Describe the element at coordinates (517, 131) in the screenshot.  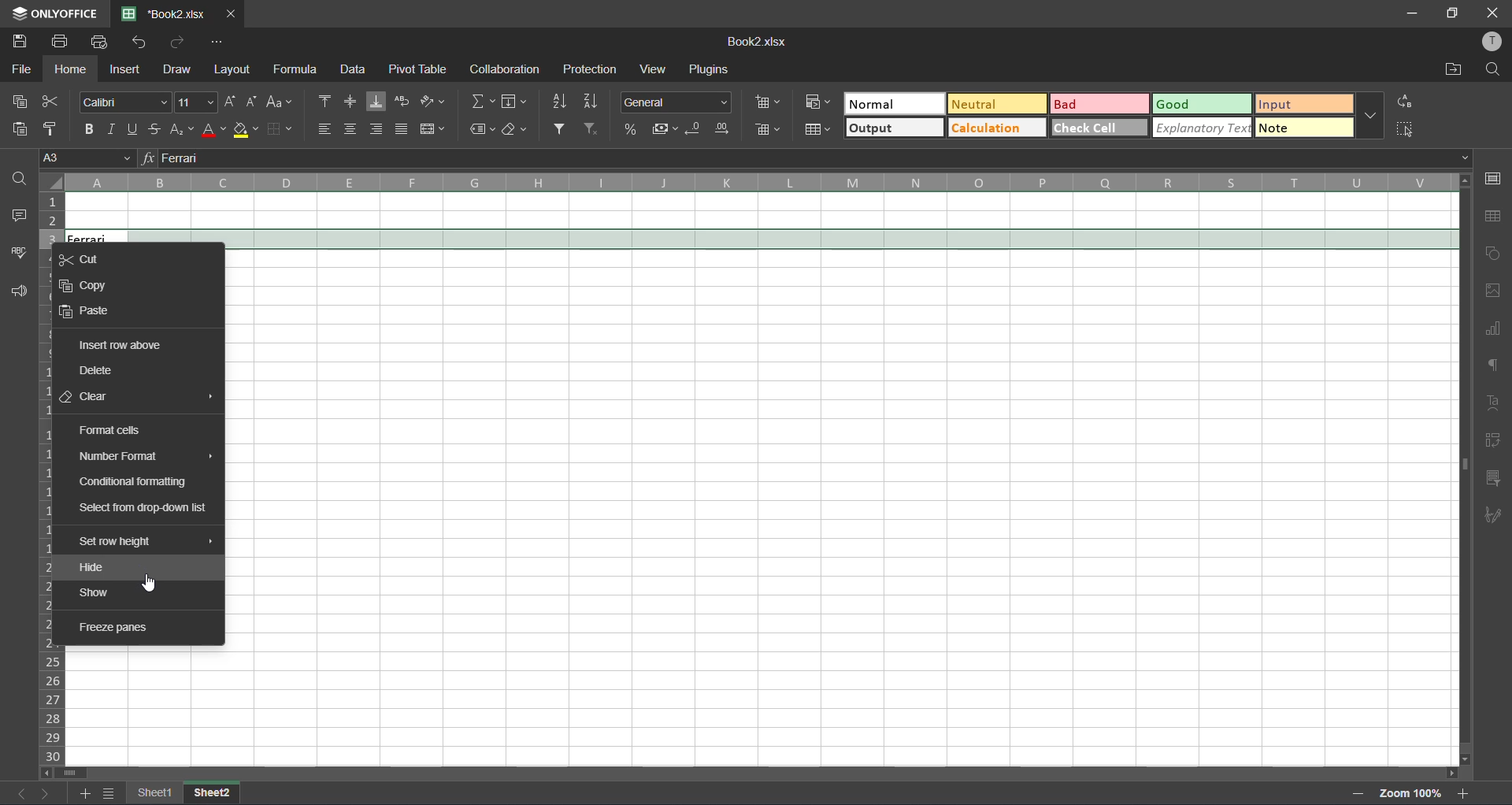
I see `clear` at that location.